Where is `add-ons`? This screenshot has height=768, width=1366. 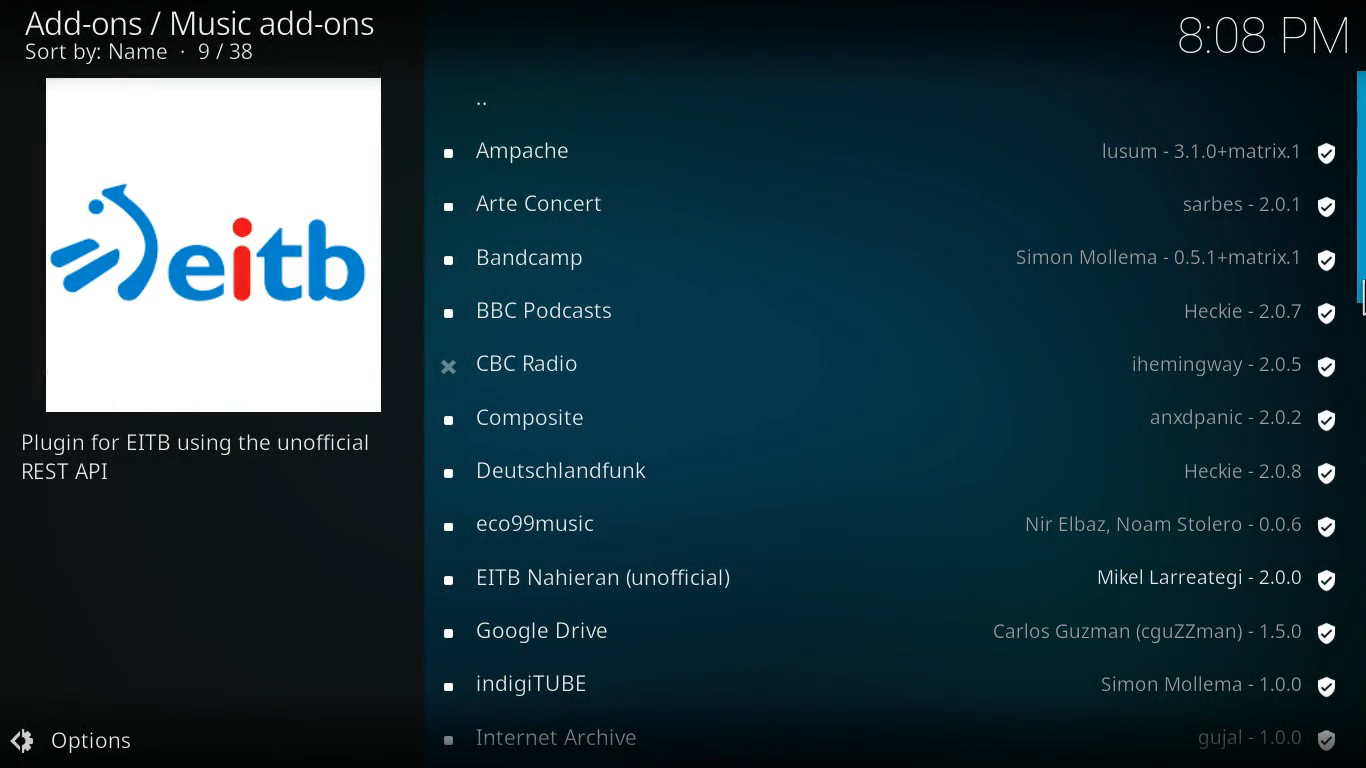
add-ons is located at coordinates (535, 523).